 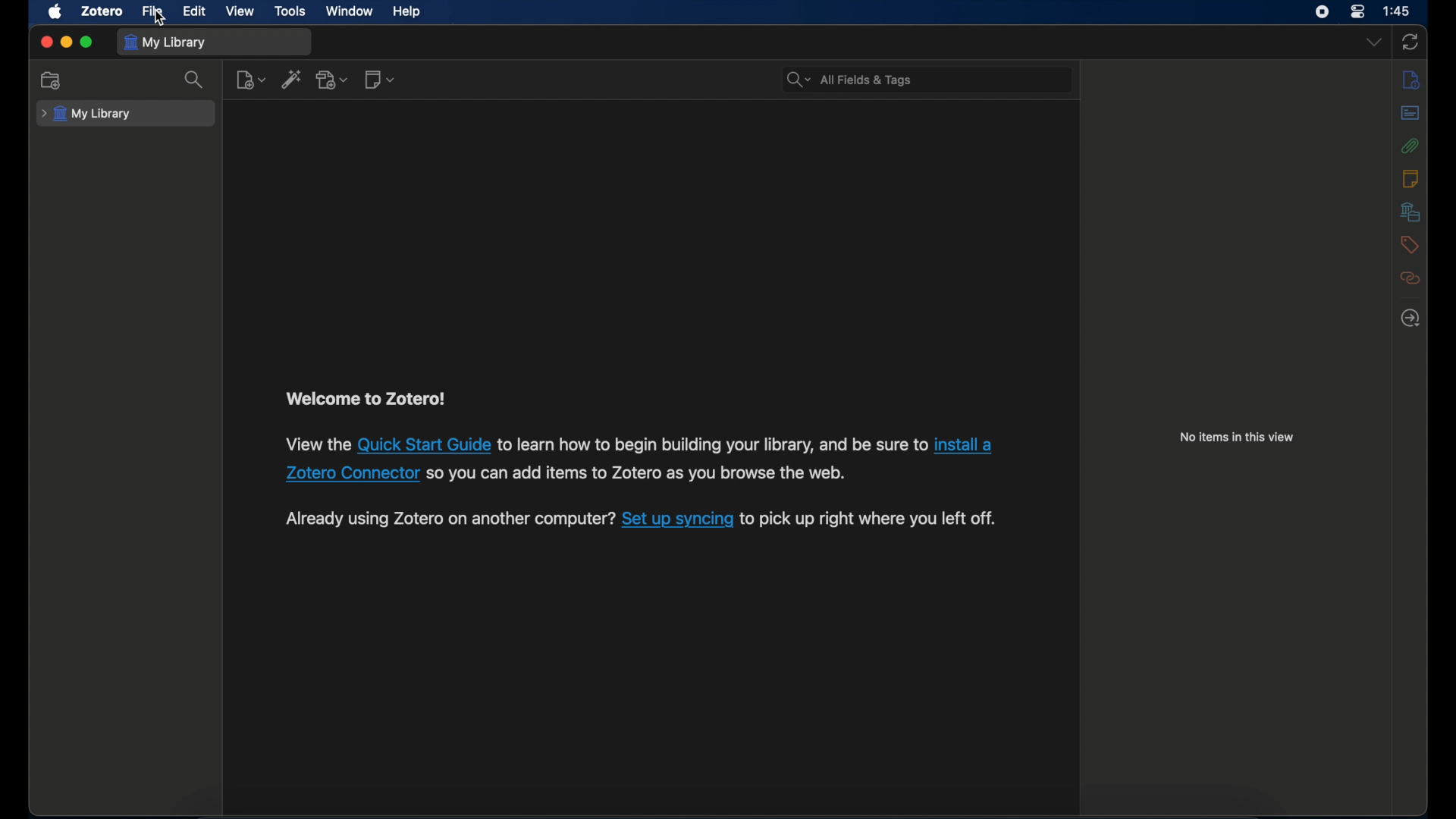 What do you see at coordinates (241, 11) in the screenshot?
I see `view` at bounding box center [241, 11].